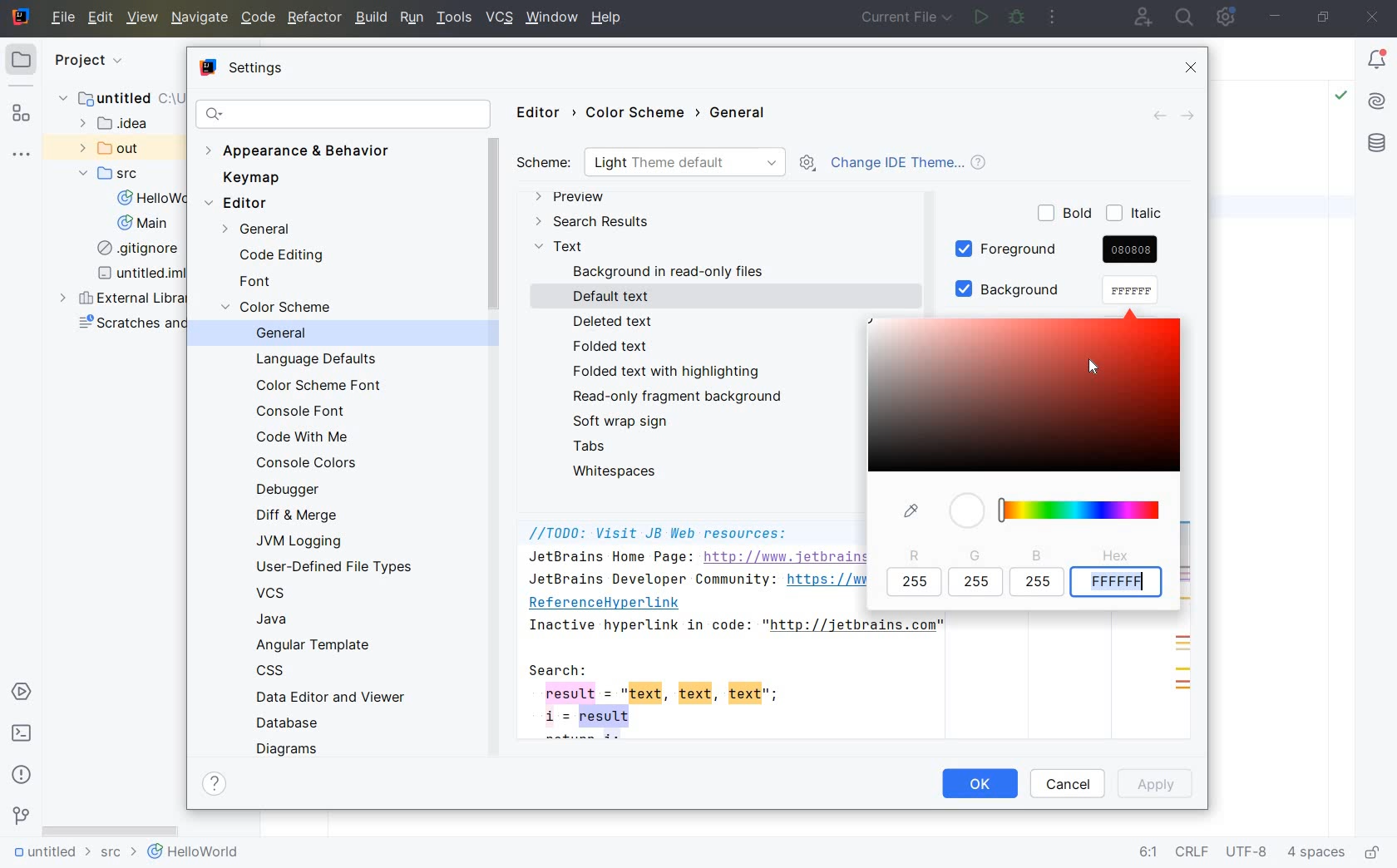 The width and height of the screenshot is (1397, 868). Describe the element at coordinates (58, 59) in the screenshot. I see `project` at that location.